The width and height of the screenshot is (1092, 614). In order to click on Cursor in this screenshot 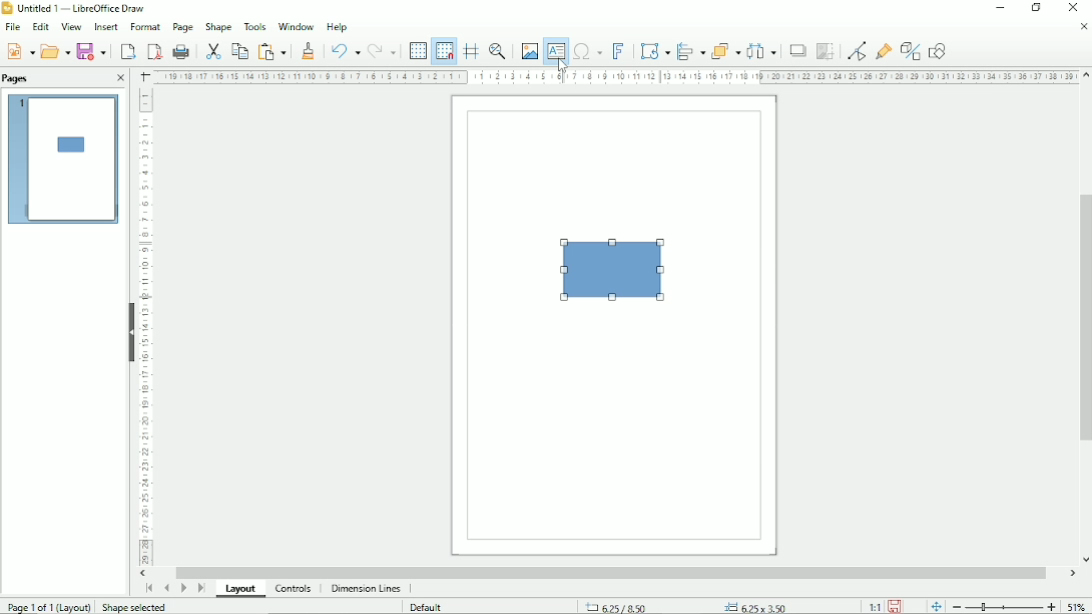, I will do `click(562, 67)`.